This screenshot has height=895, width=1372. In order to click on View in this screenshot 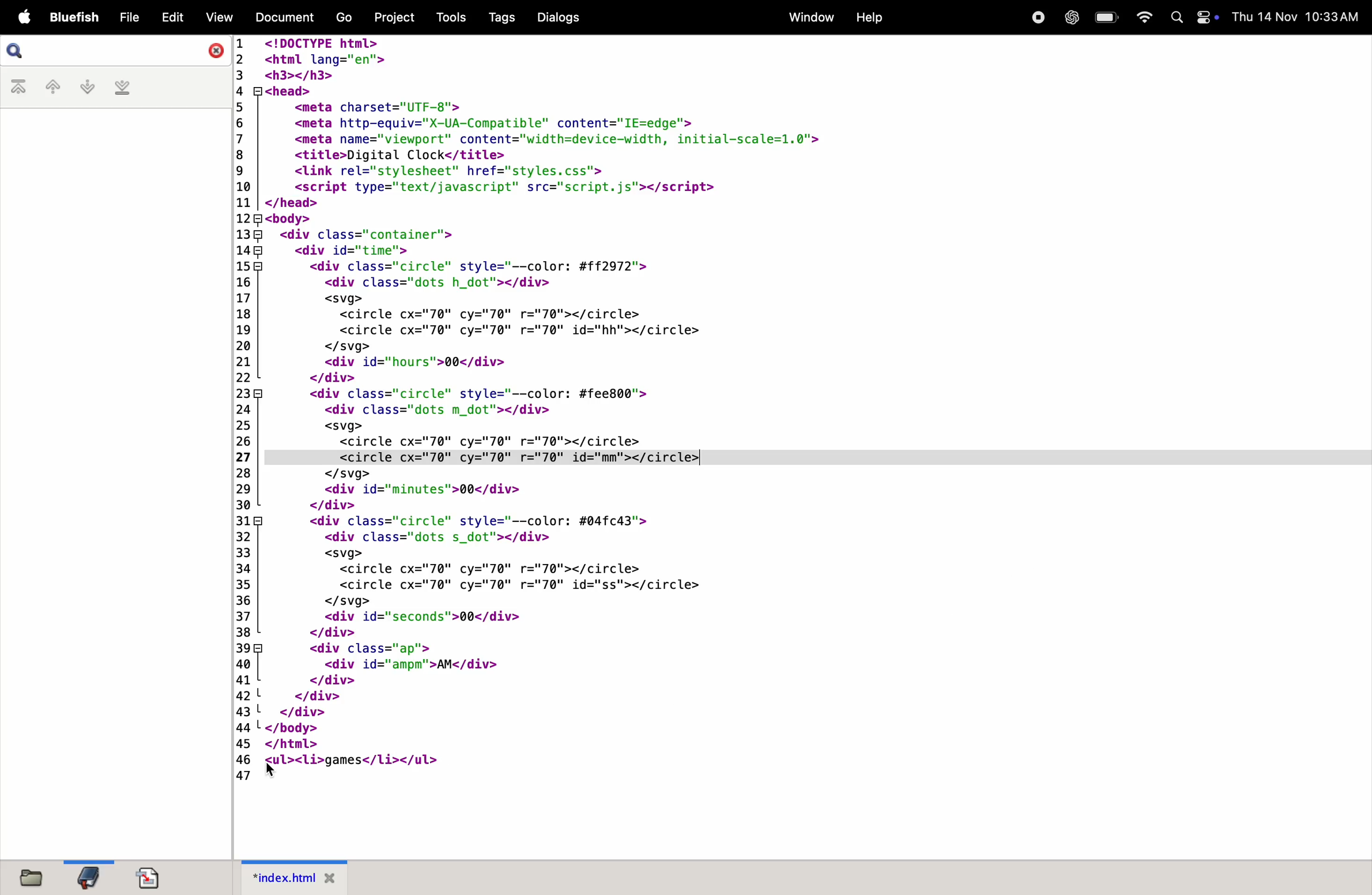, I will do `click(219, 17)`.